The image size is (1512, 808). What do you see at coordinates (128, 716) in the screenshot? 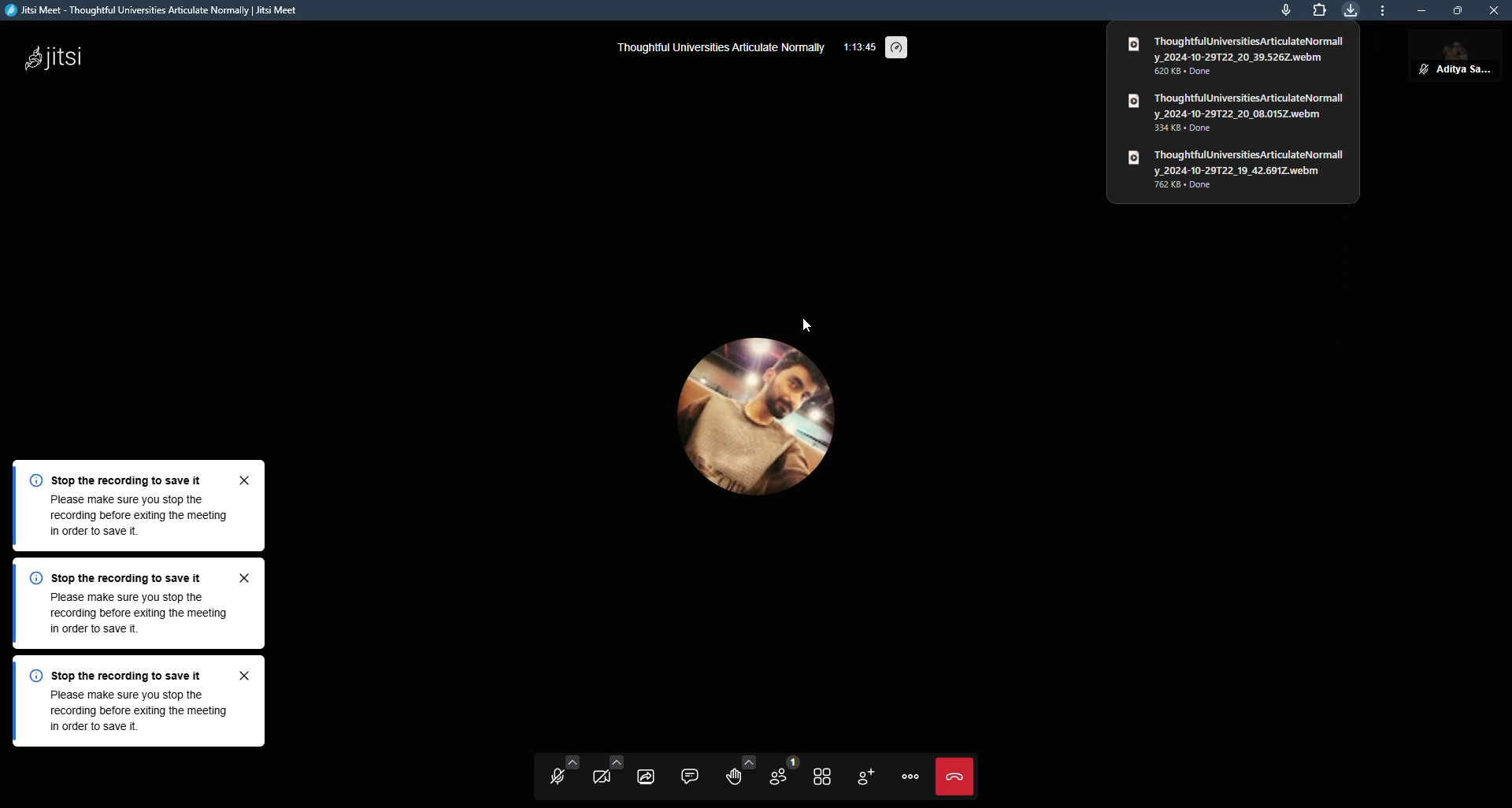
I see `Please make sure you stop therecording before exiting the meeting in order to save it` at bounding box center [128, 716].